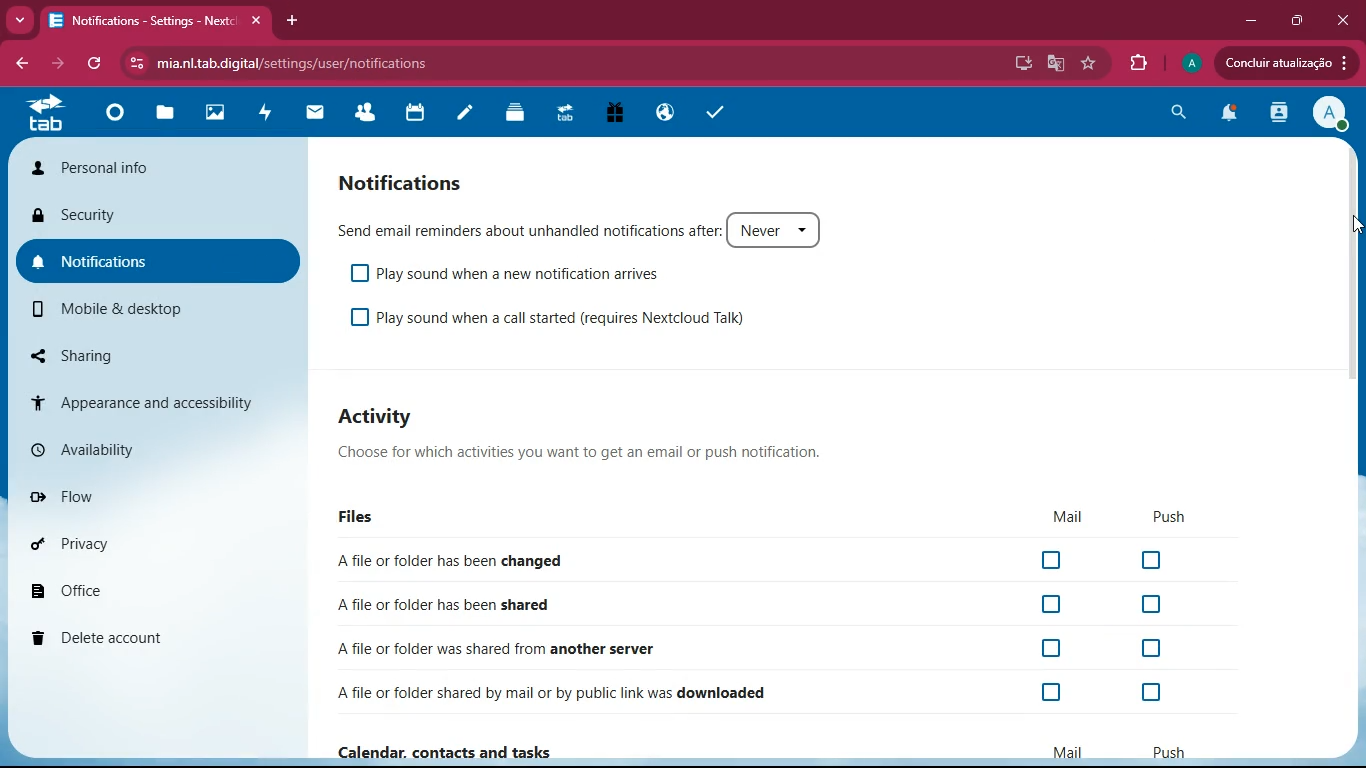 The image size is (1366, 768). Describe the element at coordinates (1145, 692) in the screenshot. I see `off` at that location.